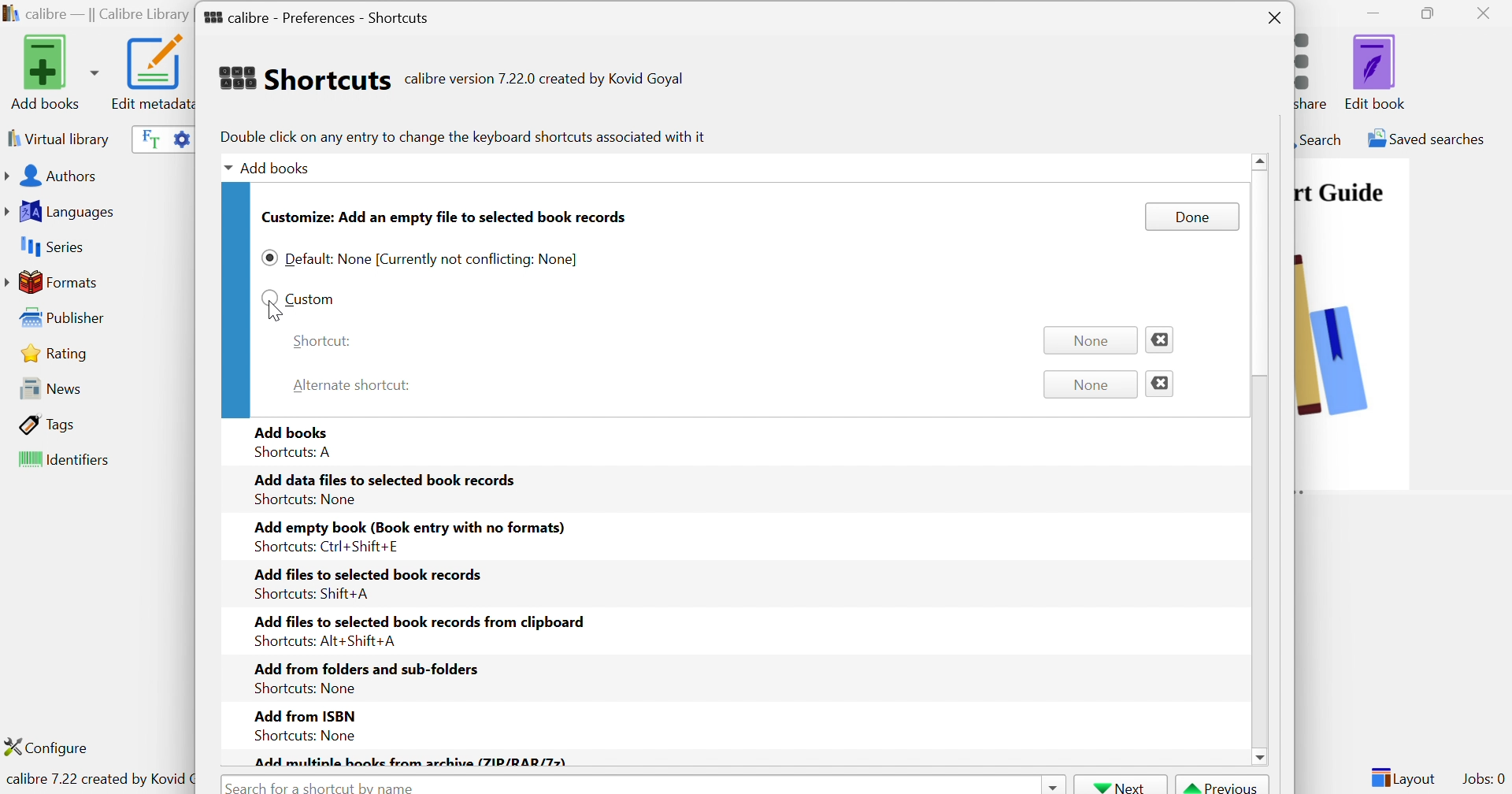 The height and width of the screenshot is (794, 1512). Describe the element at coordinates (46, 388) in the screenshot. I see `News` at that location.